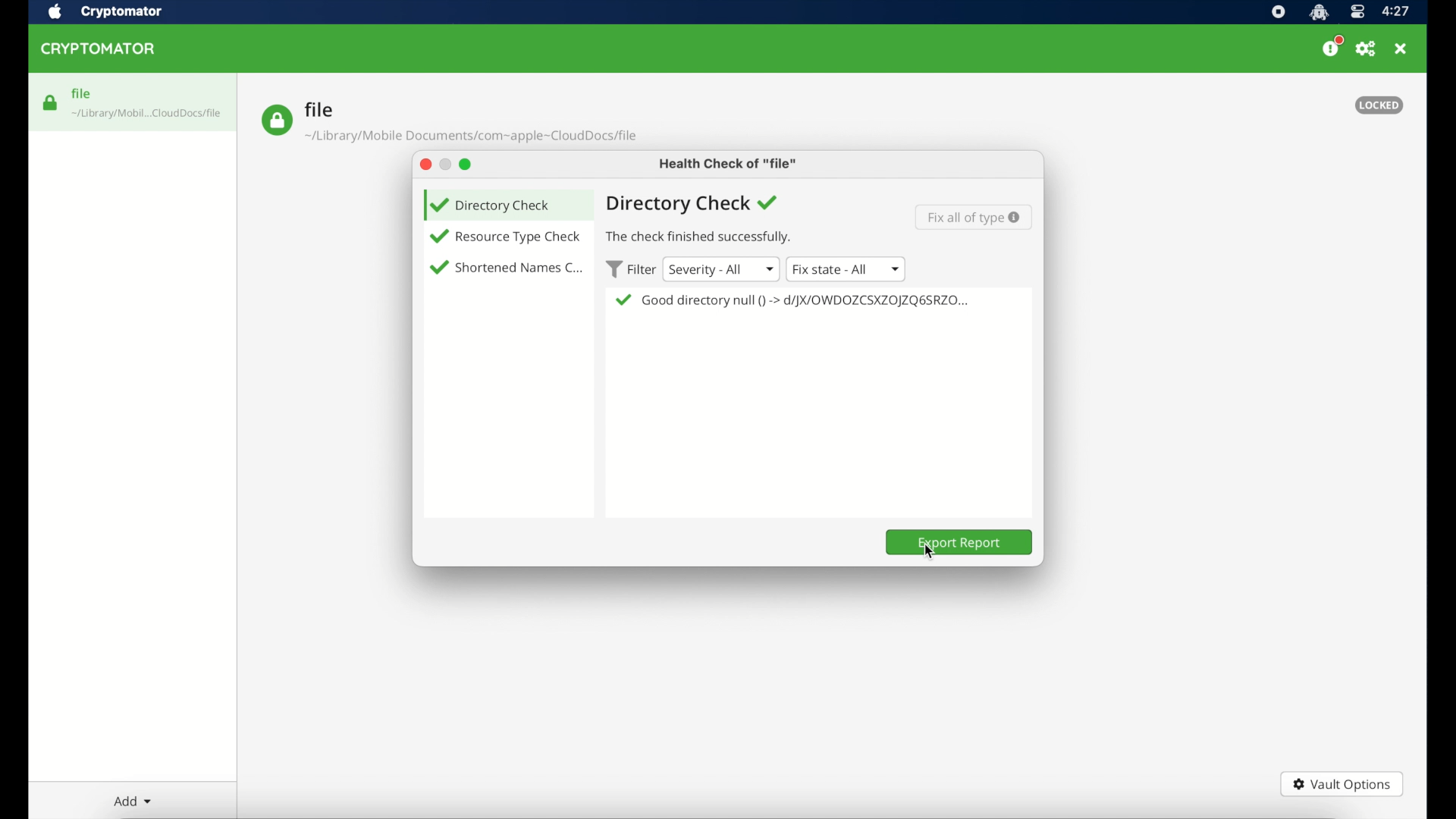  What do you see at coordinates (628, 269) in the screenshot?
I see `filter` at bounding box center [628, 269].